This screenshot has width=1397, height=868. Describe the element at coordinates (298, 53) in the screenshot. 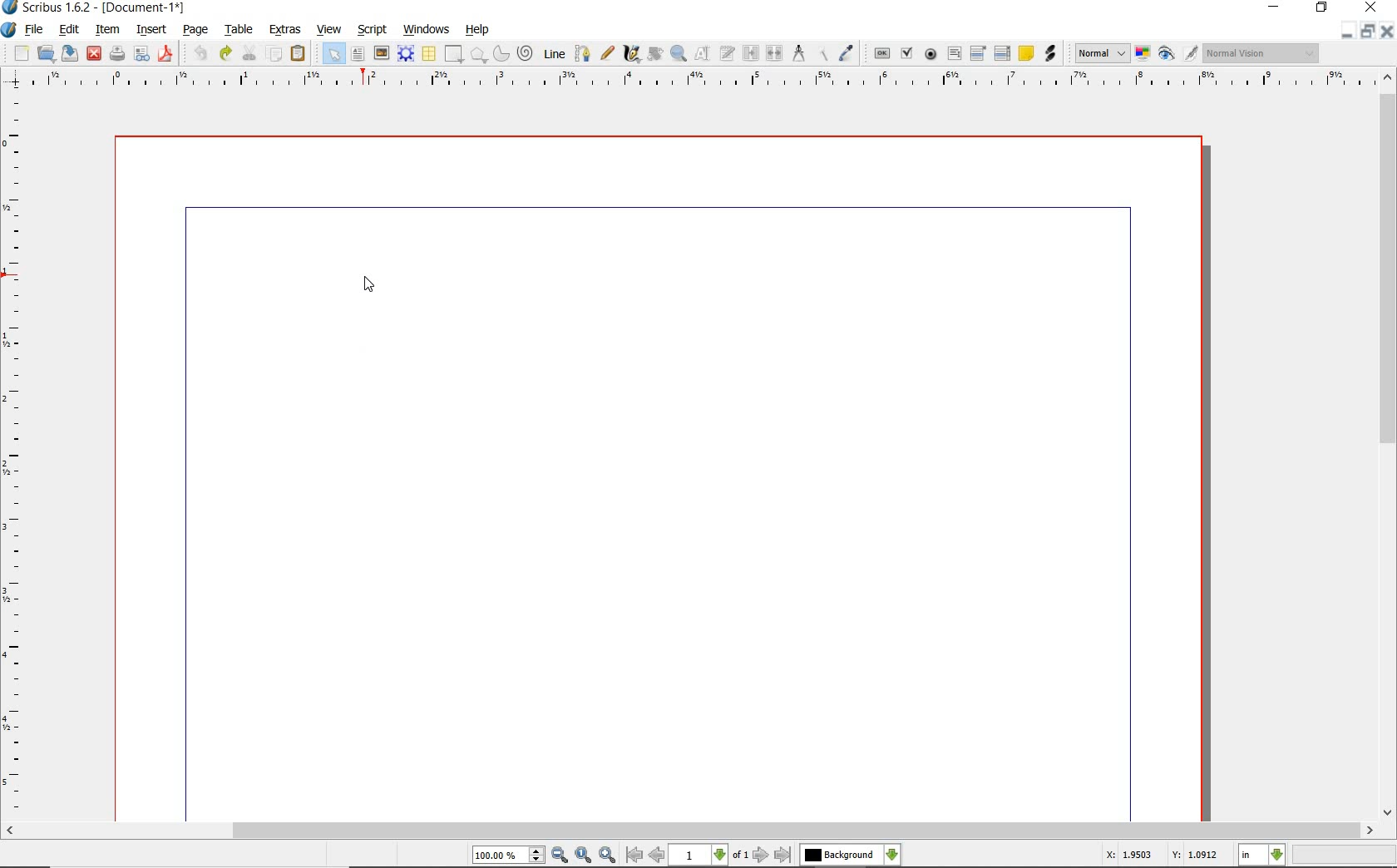

I see `paste` at that location.